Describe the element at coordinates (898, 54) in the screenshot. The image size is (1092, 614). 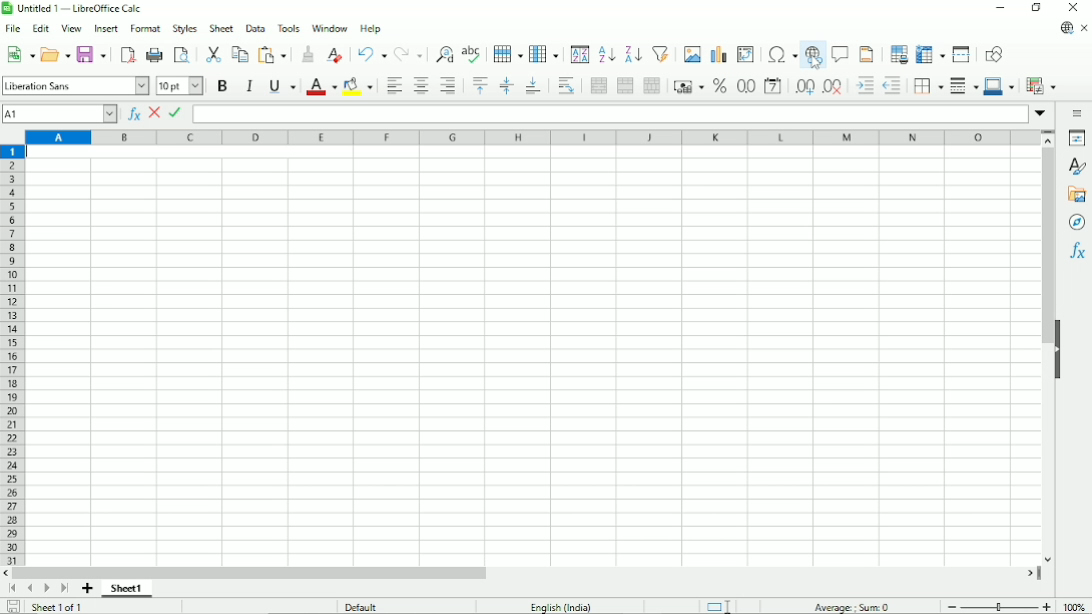
I see `Define print area` at that location.